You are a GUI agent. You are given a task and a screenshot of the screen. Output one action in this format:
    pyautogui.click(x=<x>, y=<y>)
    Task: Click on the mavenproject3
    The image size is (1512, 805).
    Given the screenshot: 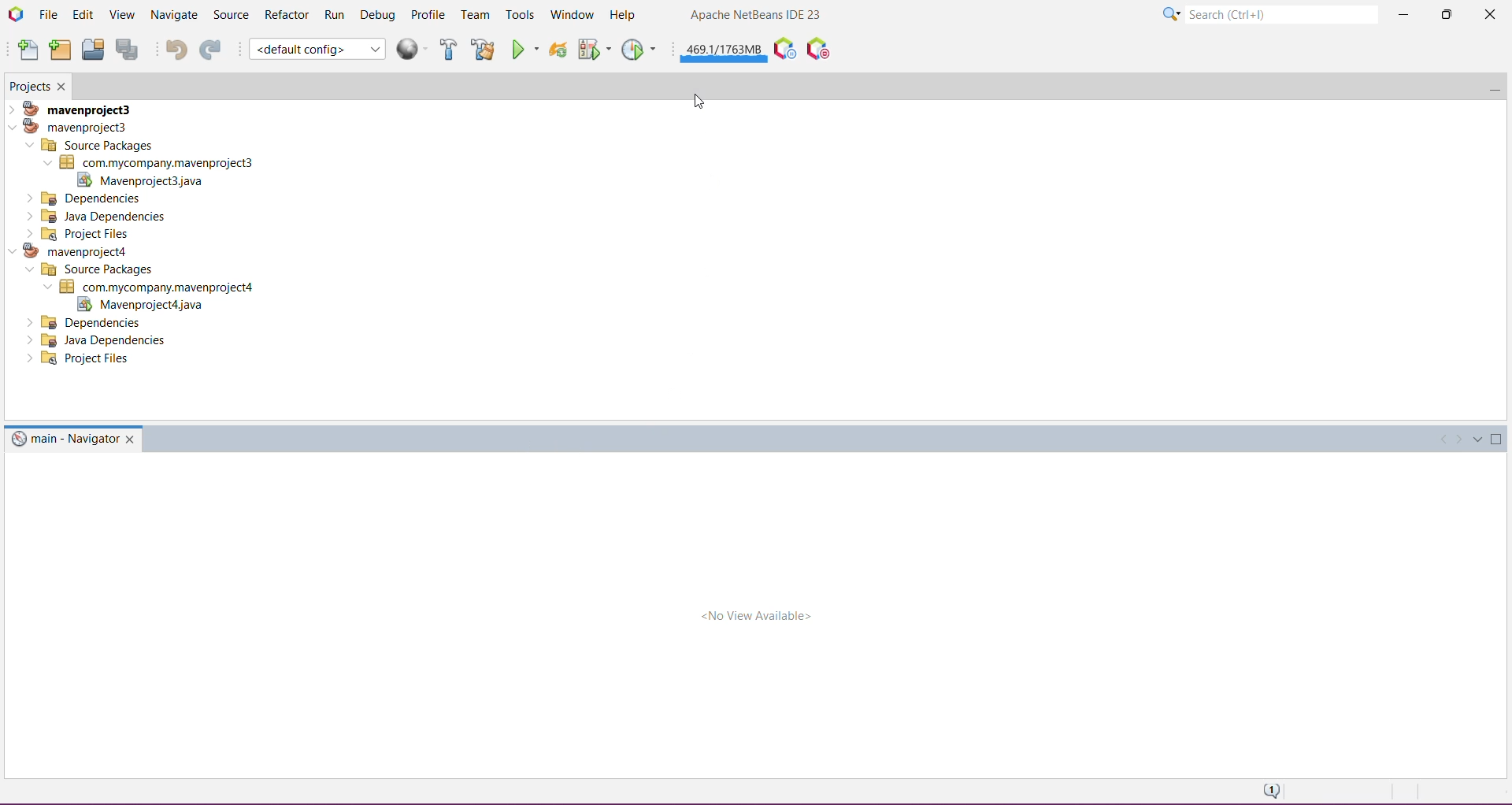 What is the action you would take?
    pyautogui.click(x=76, y=107)
    